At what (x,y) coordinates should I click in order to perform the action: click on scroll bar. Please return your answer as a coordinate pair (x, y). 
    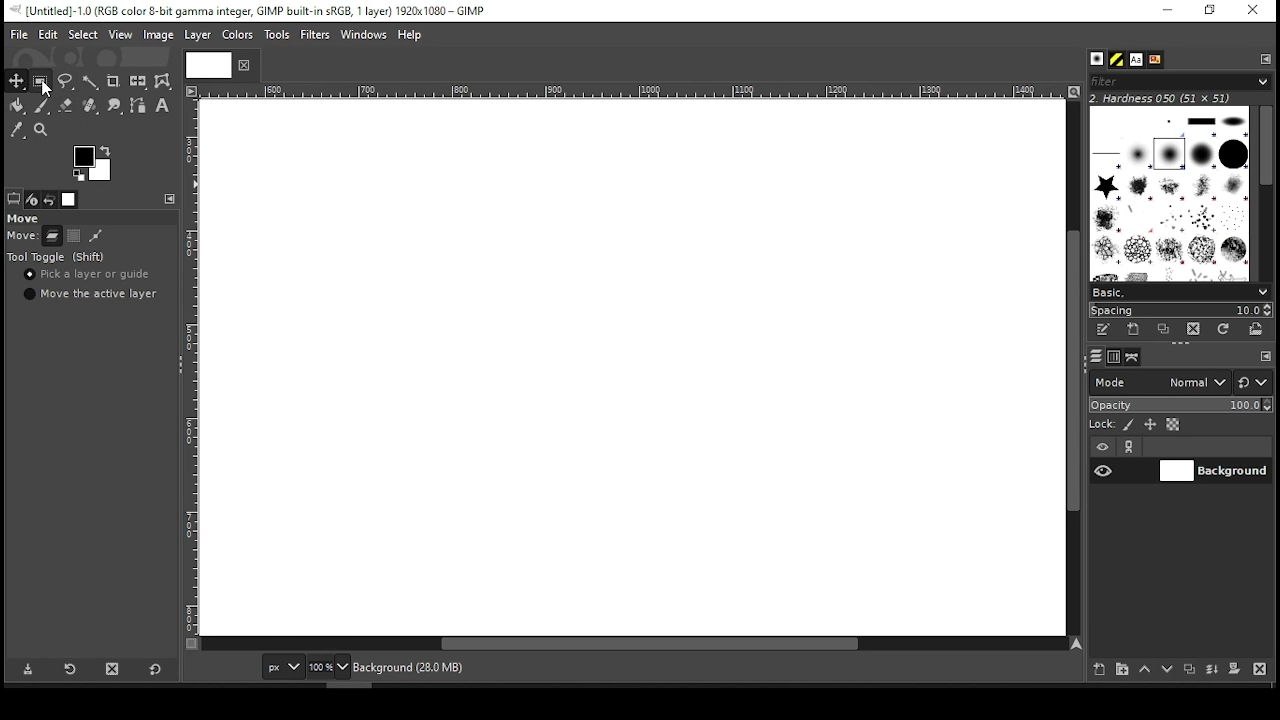
    Looking at the image, I should click on (636, 645).